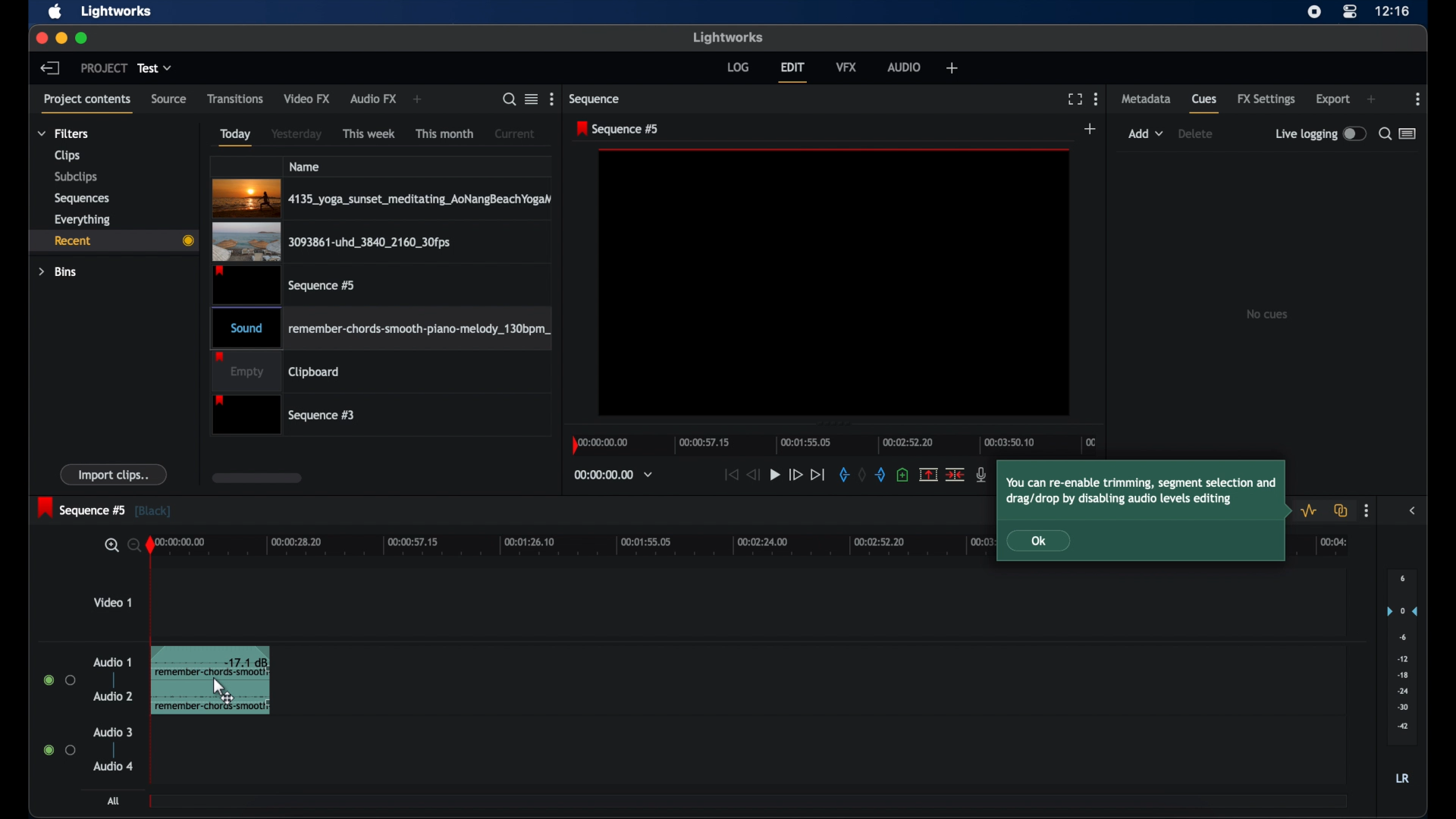  I want to click on in mark, so click(842, 475).